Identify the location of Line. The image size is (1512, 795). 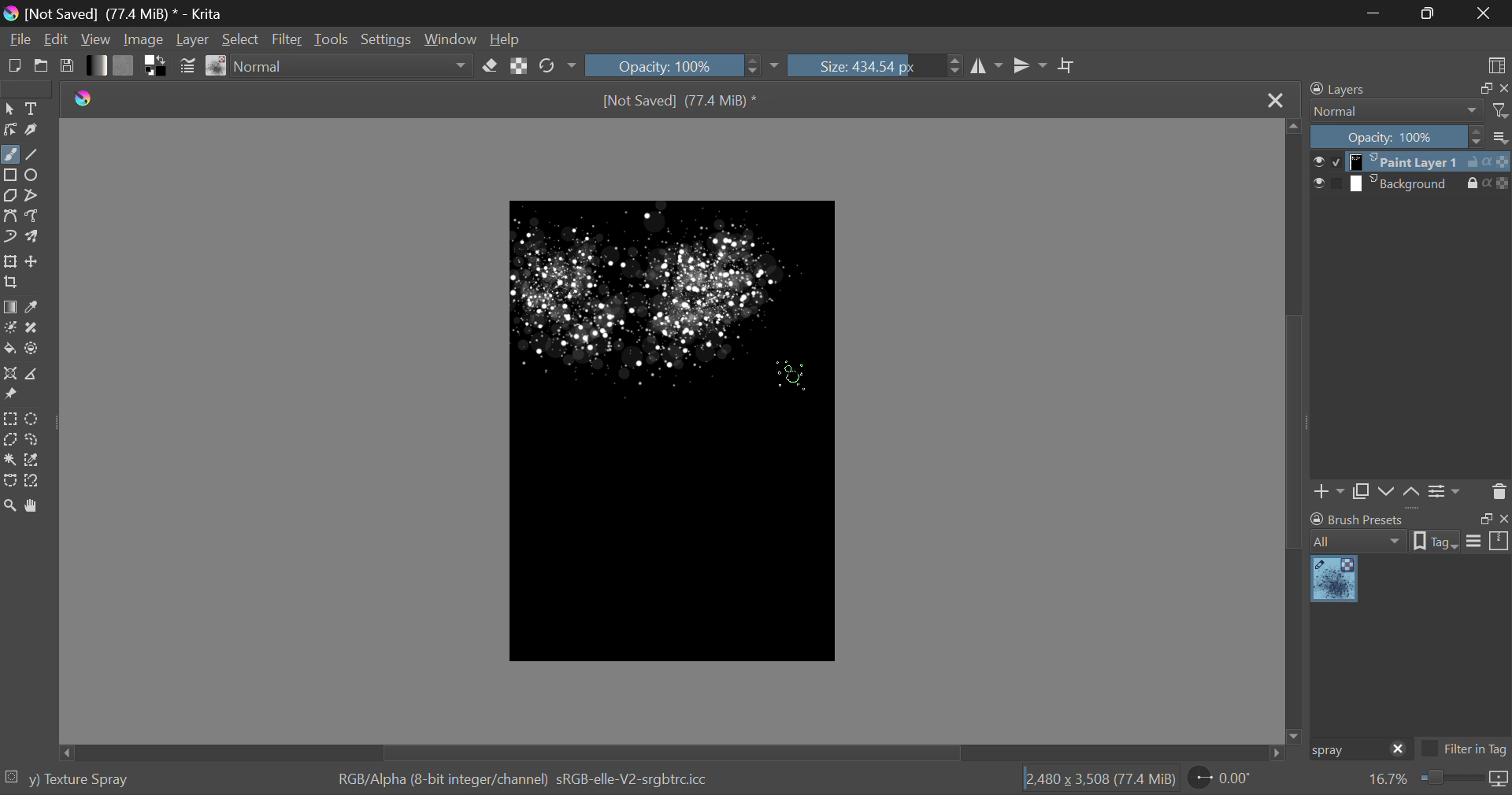
(32, 156).